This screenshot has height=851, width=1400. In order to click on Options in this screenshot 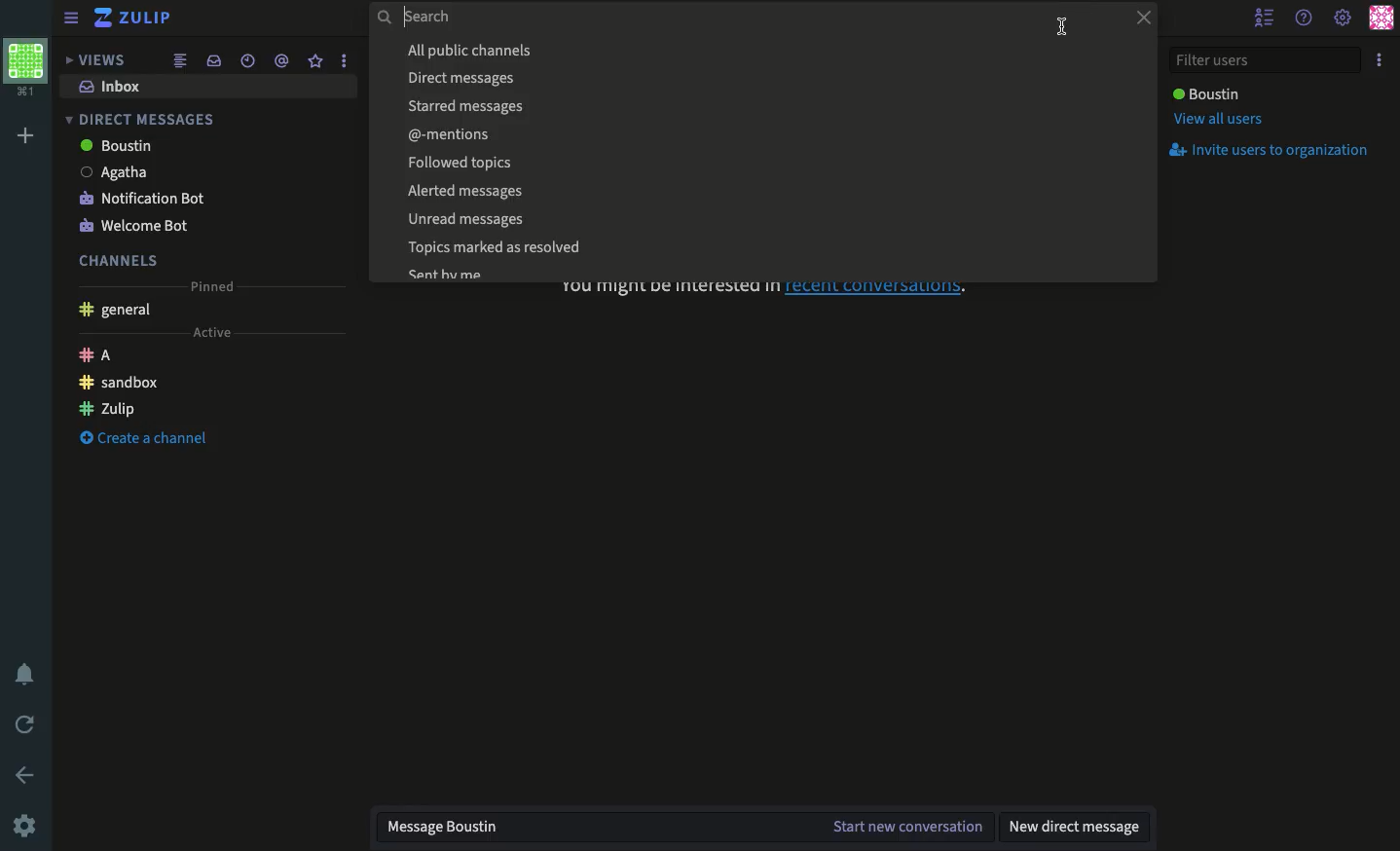, I will do `click(1380, 61)`.